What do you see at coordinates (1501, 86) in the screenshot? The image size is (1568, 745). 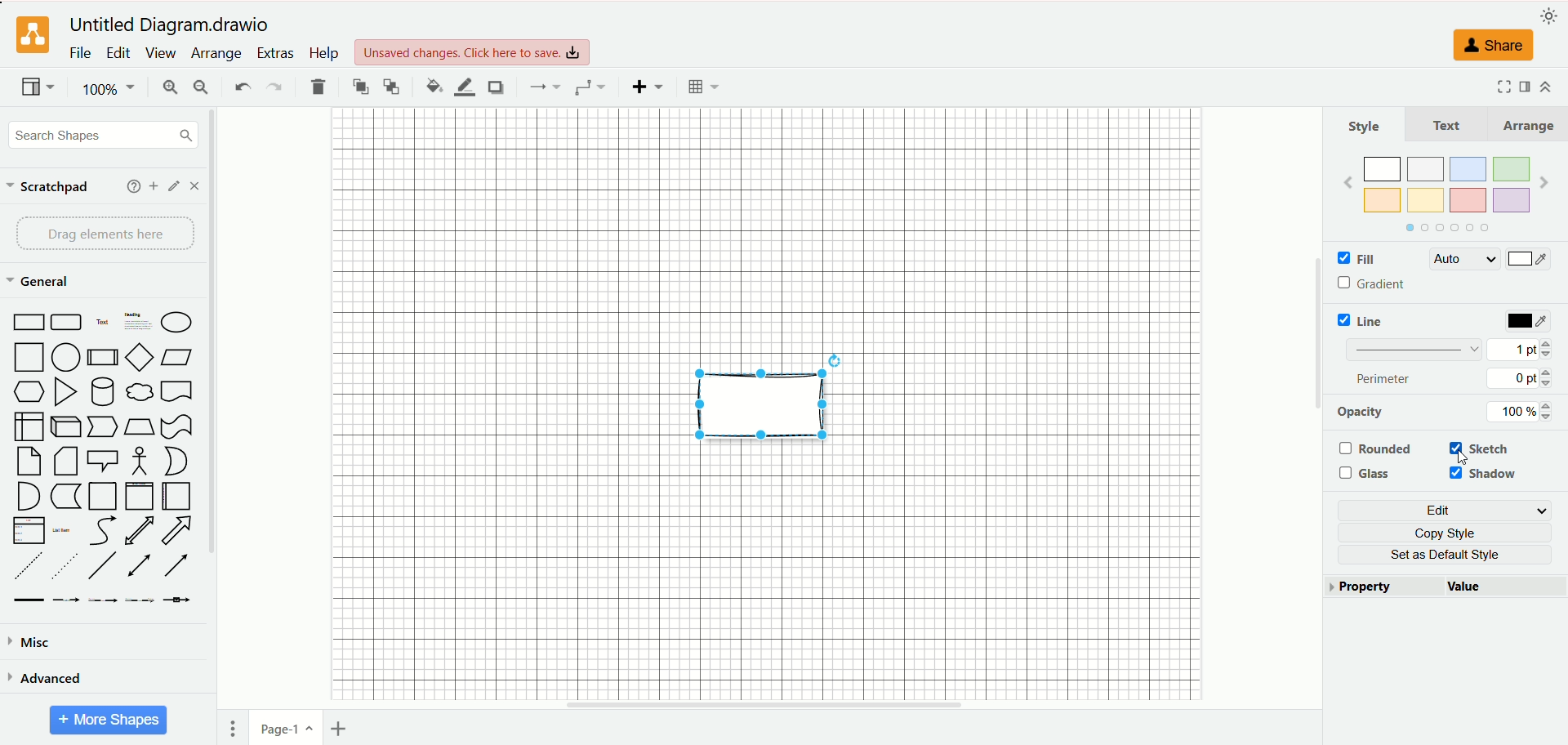 I see `fullscreen` at bounding box center [1501, 86].